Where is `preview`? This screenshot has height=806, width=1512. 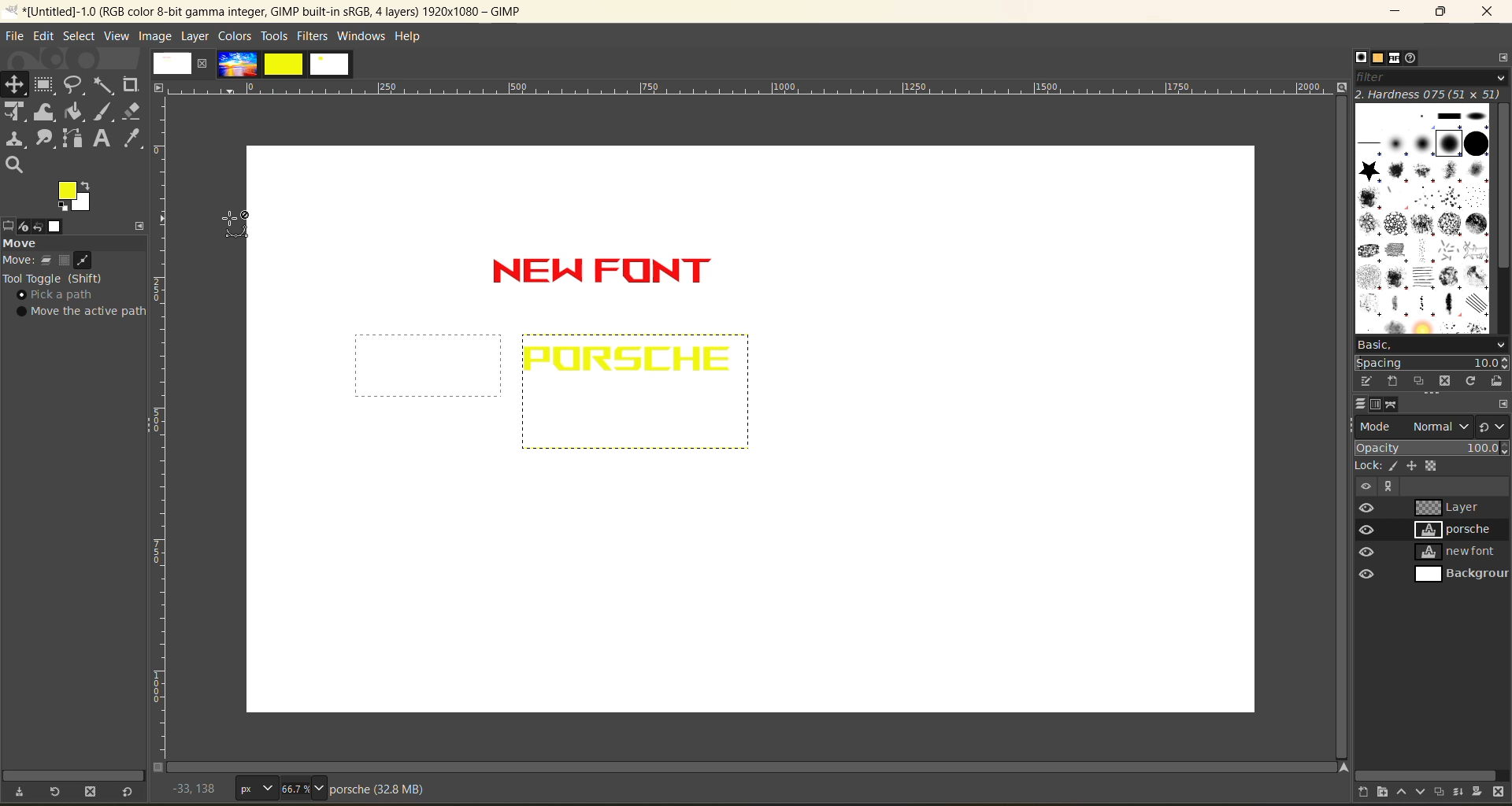
preview is located at coordinates (1366, 545).